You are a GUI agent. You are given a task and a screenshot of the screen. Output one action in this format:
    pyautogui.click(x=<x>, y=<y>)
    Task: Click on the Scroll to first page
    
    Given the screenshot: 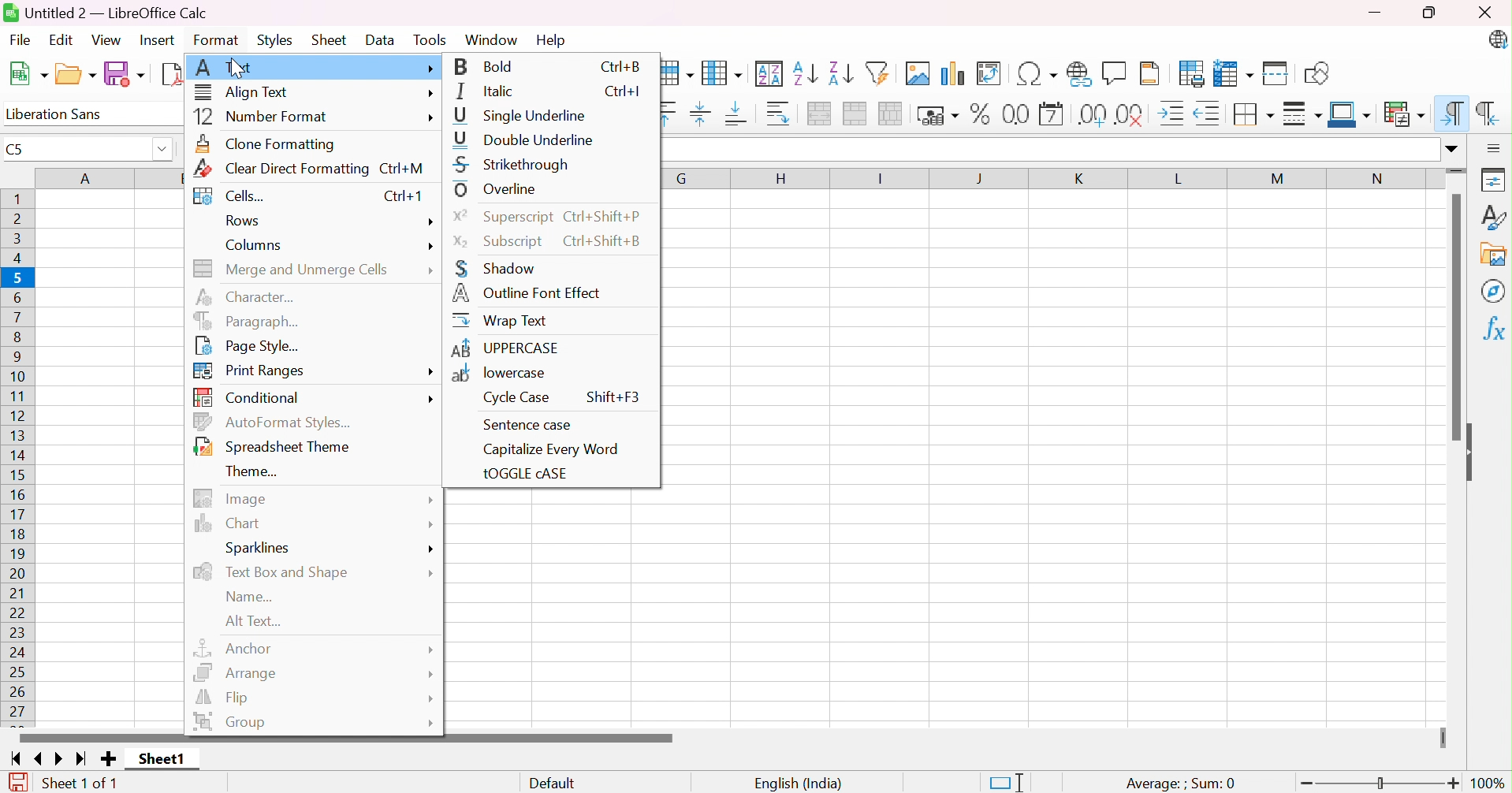 What is the action you would take?
    pyautogui.click(x=17, y=758)
    